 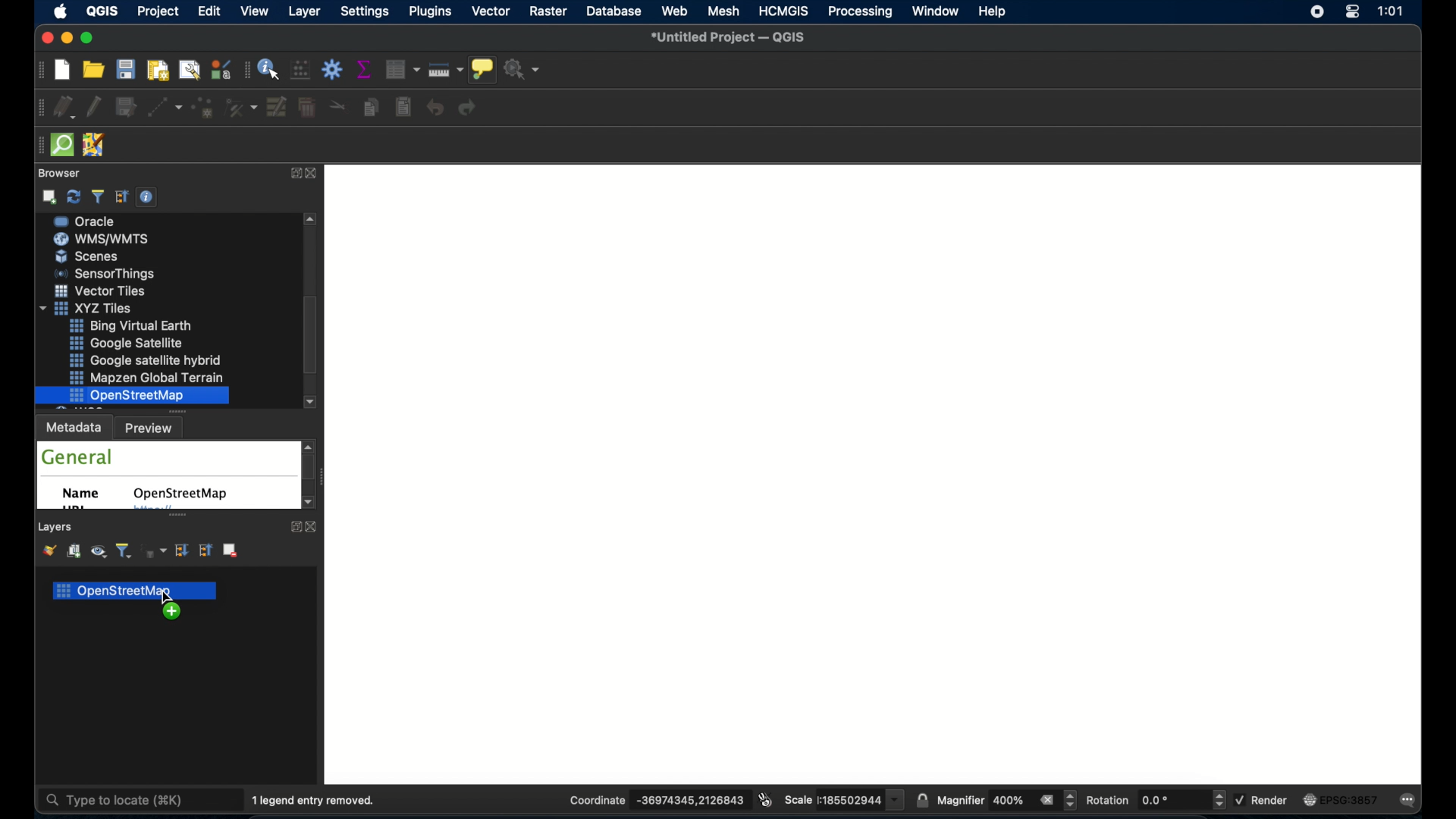 What do you see at coordinates (1390, 12) in the screenshot?
I see `time` at bounding box center [1390, 12].